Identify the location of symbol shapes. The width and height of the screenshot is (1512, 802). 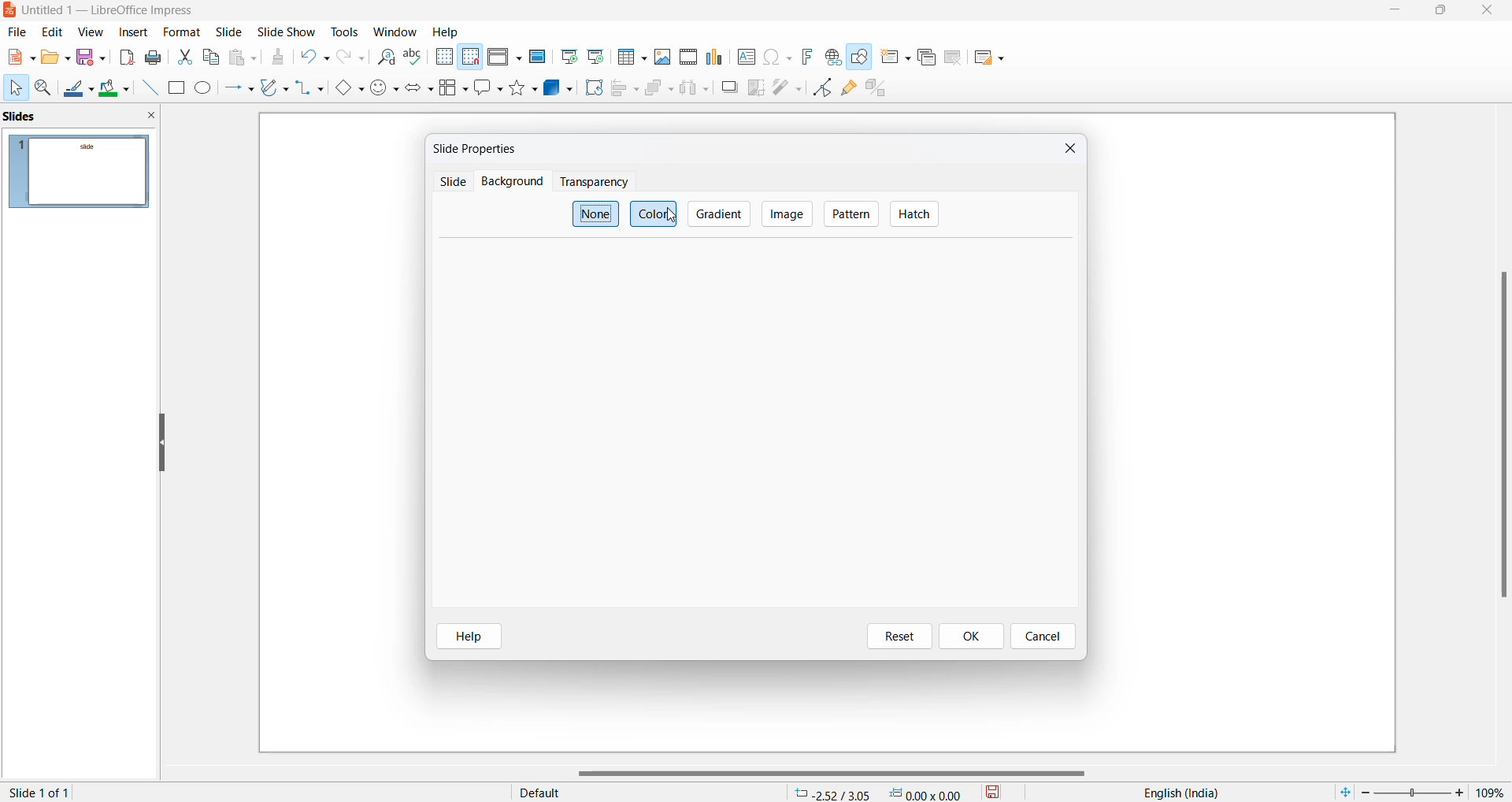
(385, 89).